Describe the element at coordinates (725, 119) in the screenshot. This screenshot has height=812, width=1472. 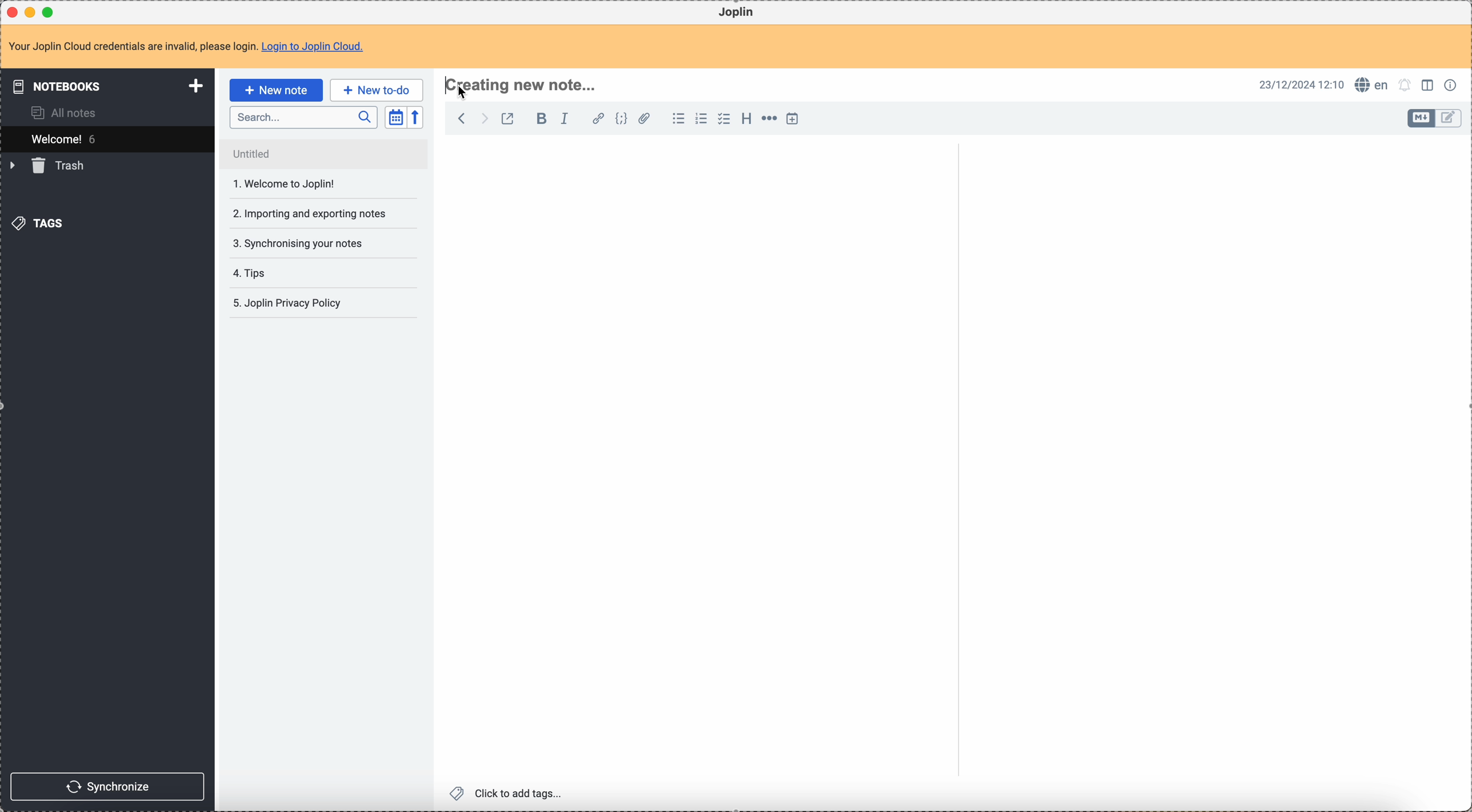
I see `checkbox` at that location.